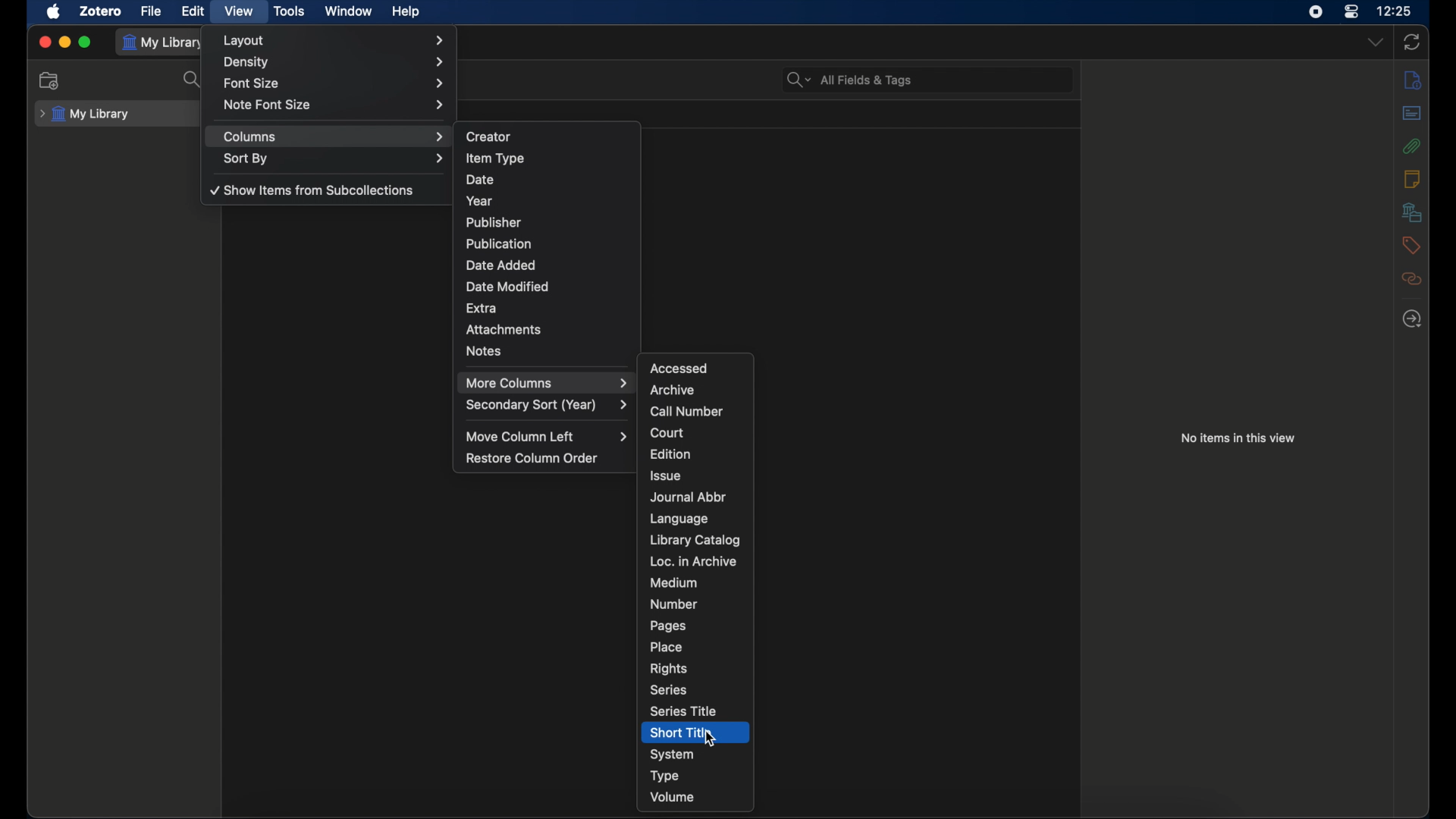  What do you see at coordinates (1412, 319) in the screenshot?
I see `locate` at bounding box center [1412, 319].